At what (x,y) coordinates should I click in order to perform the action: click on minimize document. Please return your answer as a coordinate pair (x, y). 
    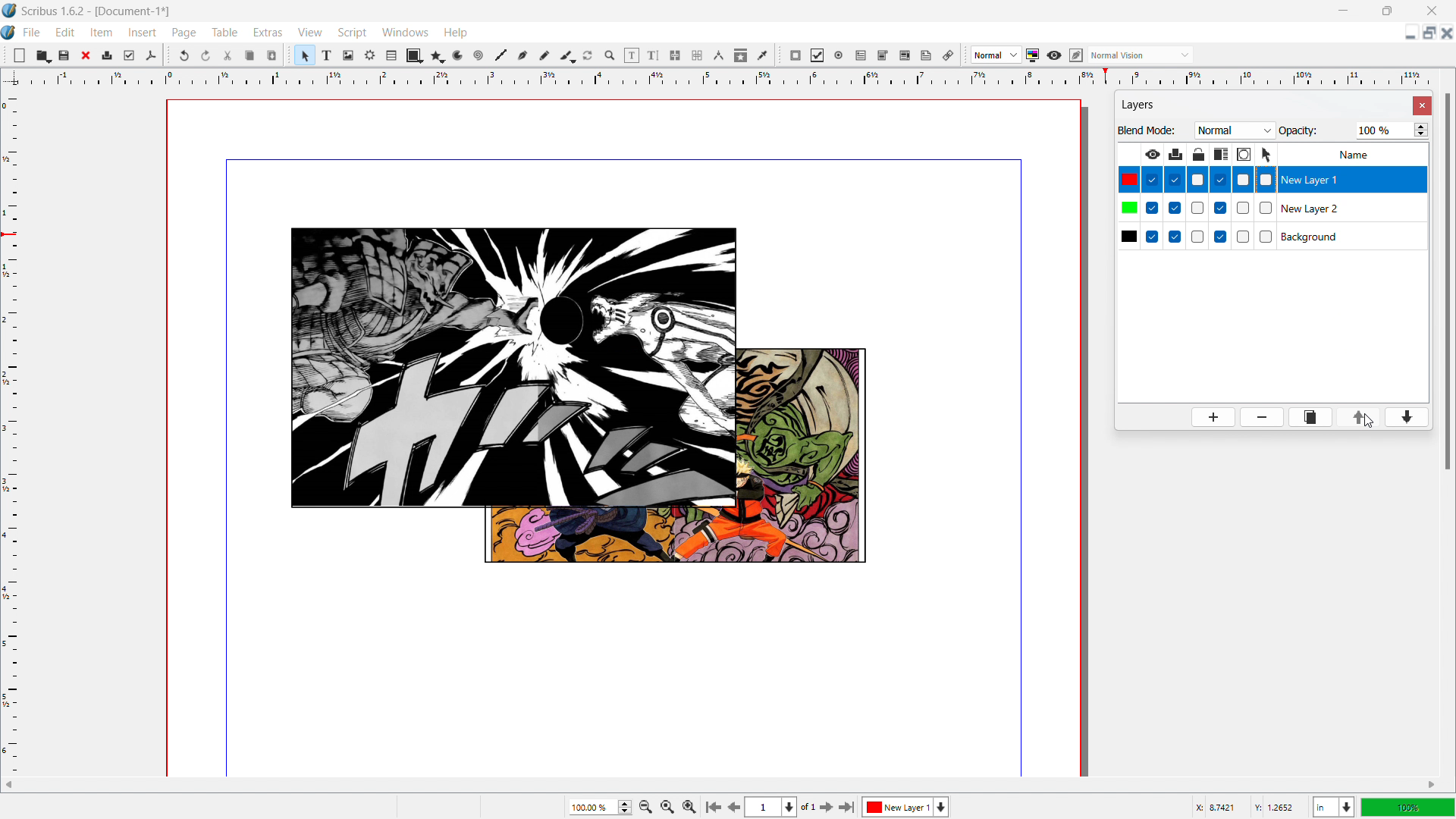
    Looking at the image, I should click on (1407, 33).